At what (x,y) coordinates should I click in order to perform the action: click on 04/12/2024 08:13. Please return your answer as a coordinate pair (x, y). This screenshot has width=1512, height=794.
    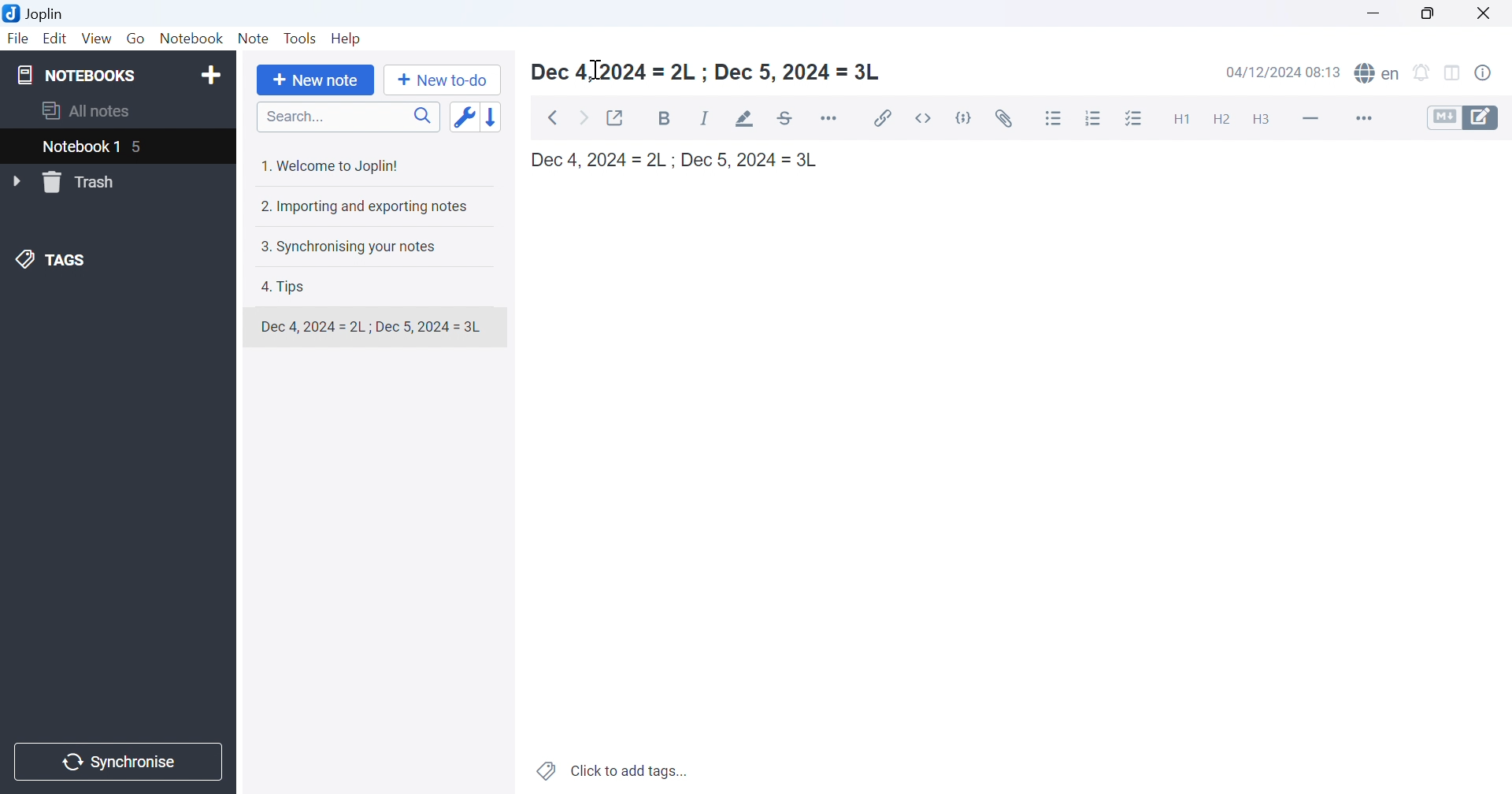
    Looking at the image, I should click on (1284, 72).